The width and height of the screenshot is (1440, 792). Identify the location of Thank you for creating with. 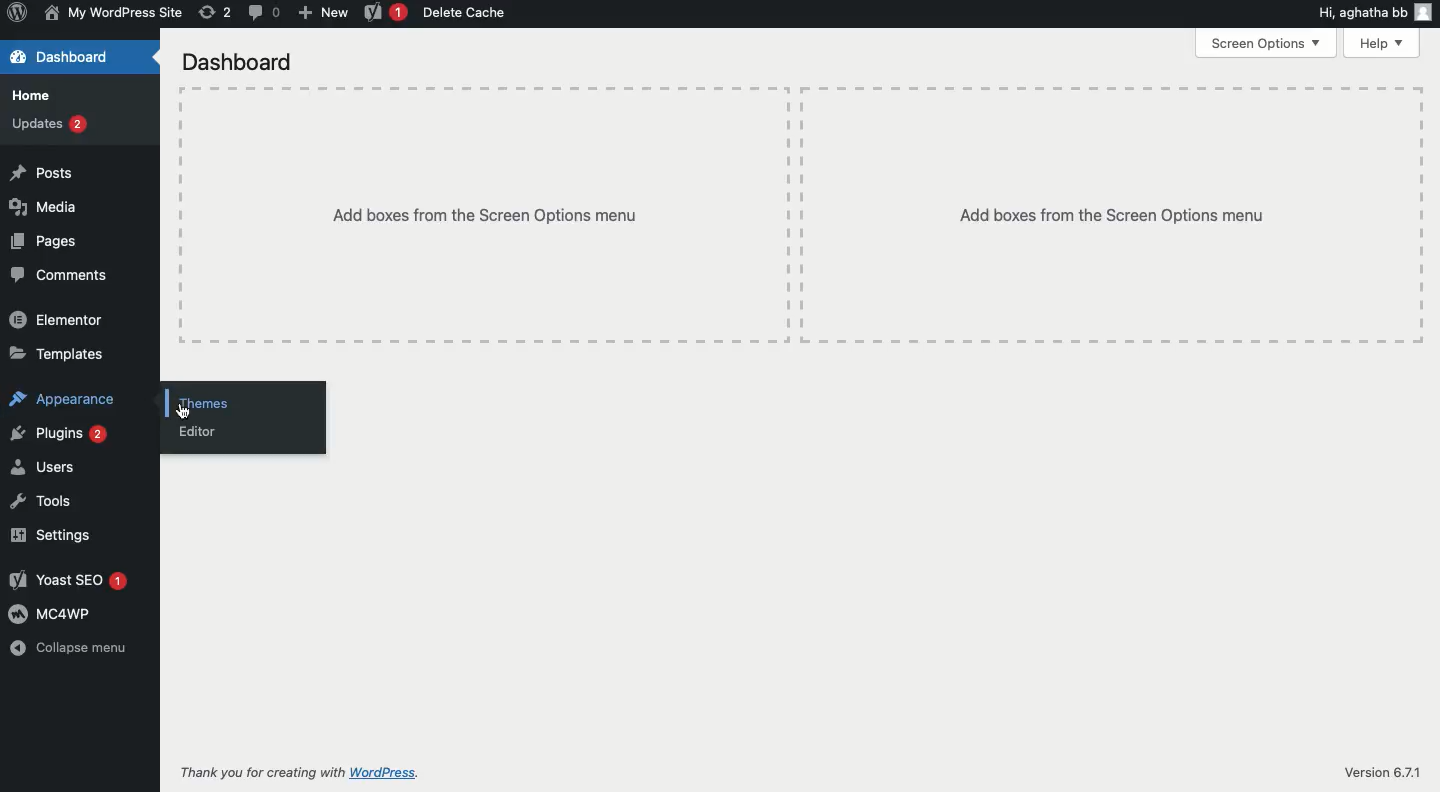
(261, 773).